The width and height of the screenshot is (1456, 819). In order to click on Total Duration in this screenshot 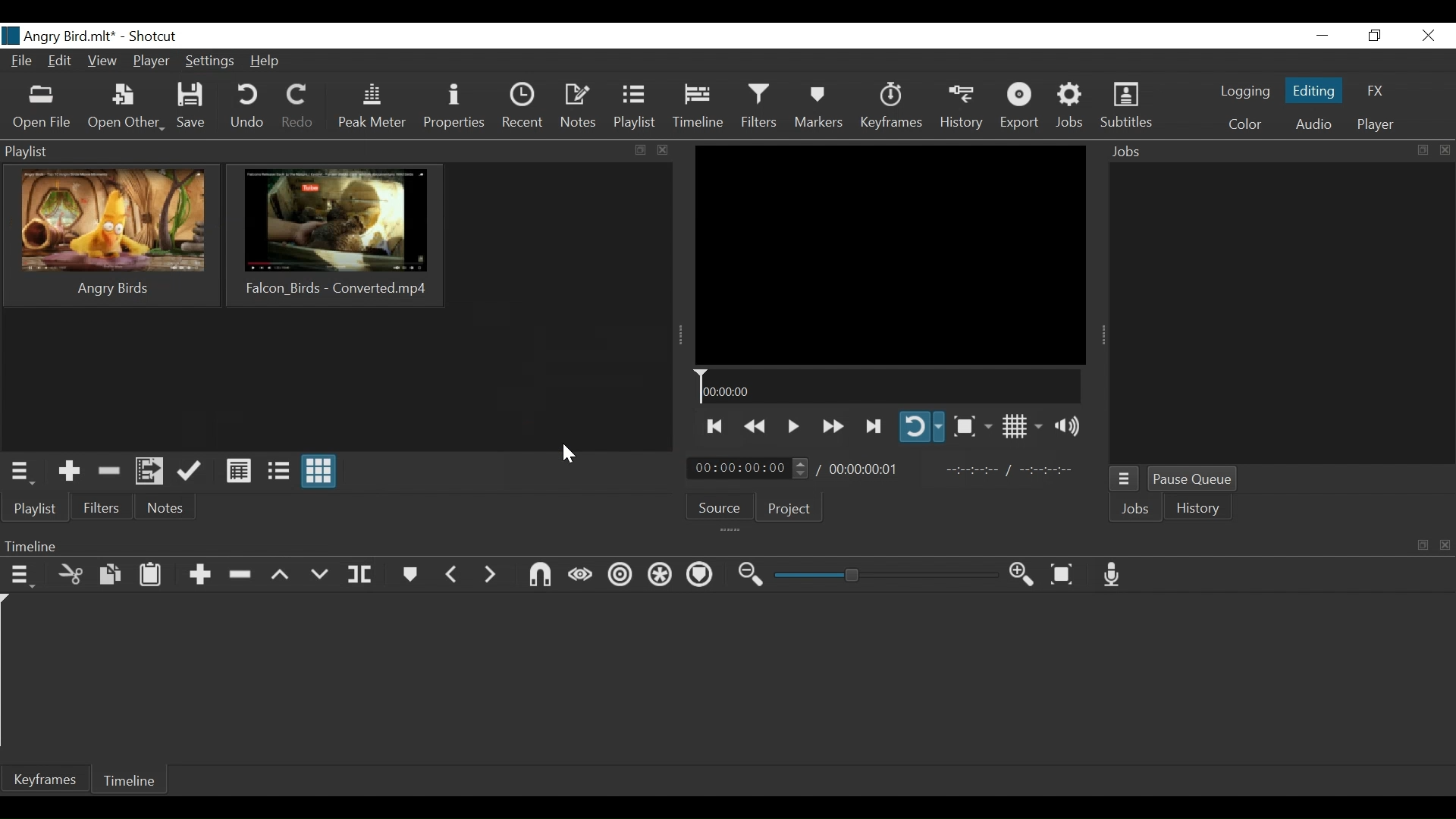, I will do `click(863, 468)`.